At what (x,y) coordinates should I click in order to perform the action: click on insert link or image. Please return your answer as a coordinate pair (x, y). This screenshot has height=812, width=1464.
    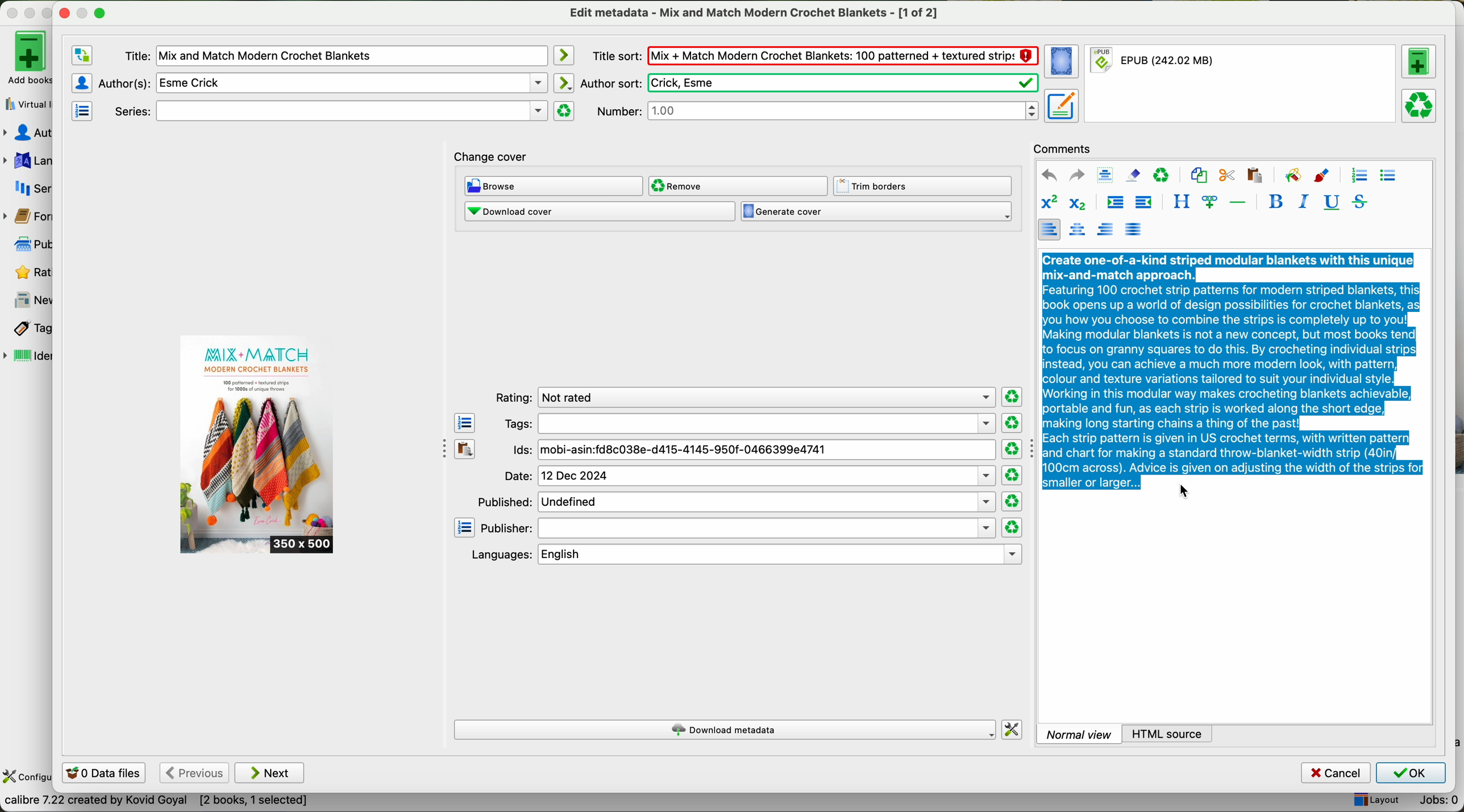
    Looking at the image, I should click on (1209, 202).